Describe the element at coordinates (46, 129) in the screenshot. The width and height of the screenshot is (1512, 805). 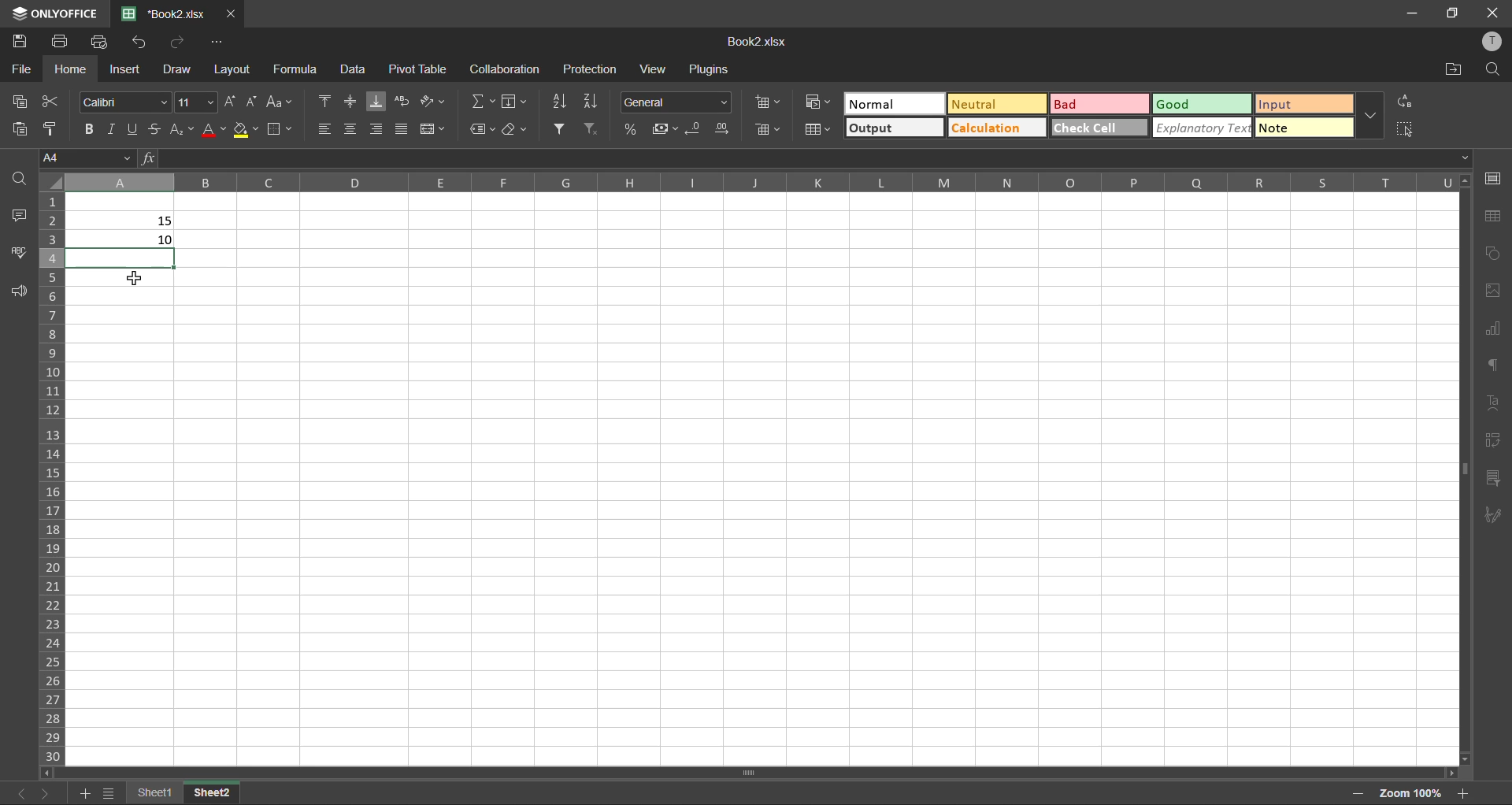
I see `copy style` at that location.